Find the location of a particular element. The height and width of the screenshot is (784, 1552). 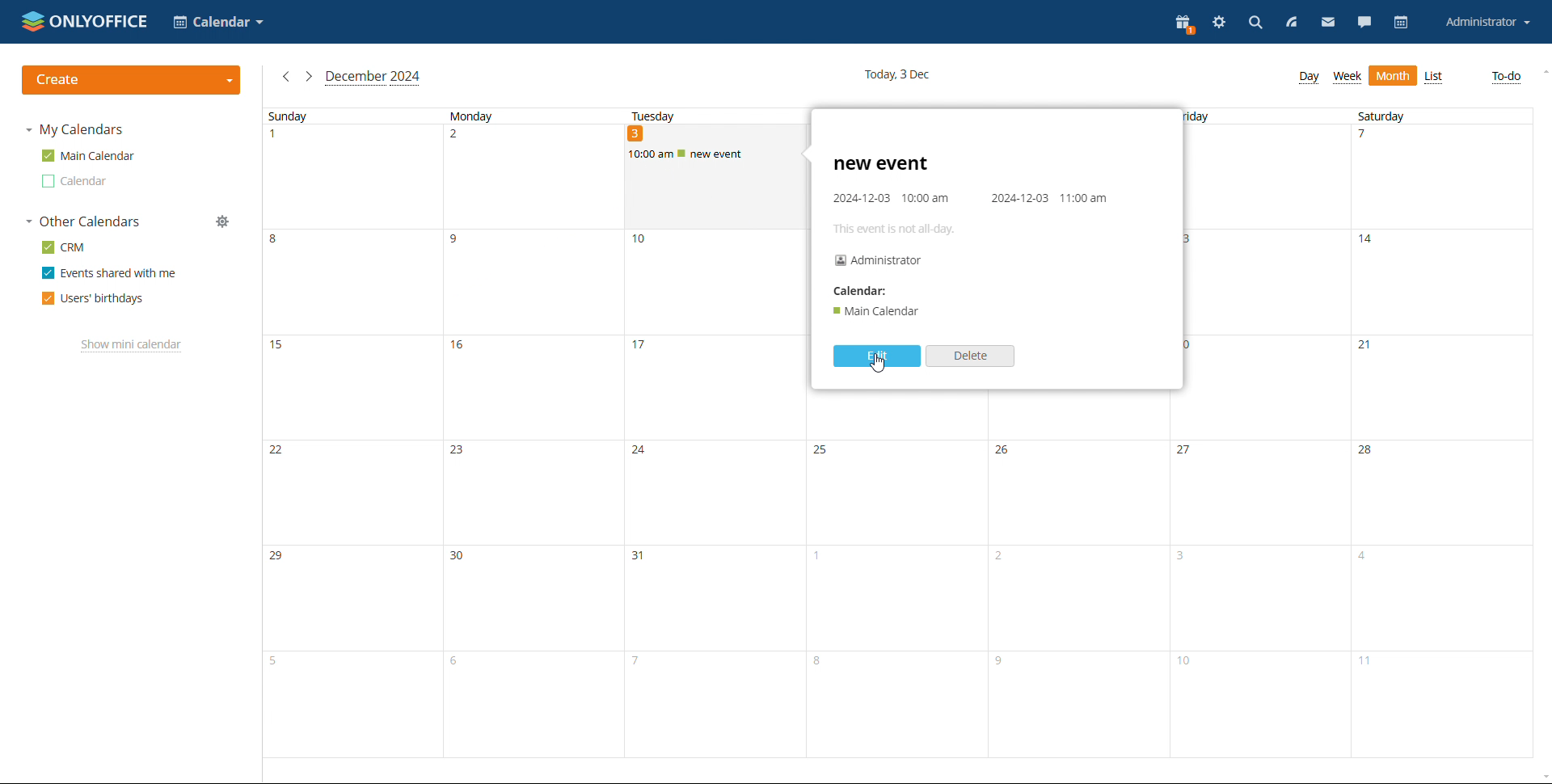

delete is located at coordinates (971, 356).